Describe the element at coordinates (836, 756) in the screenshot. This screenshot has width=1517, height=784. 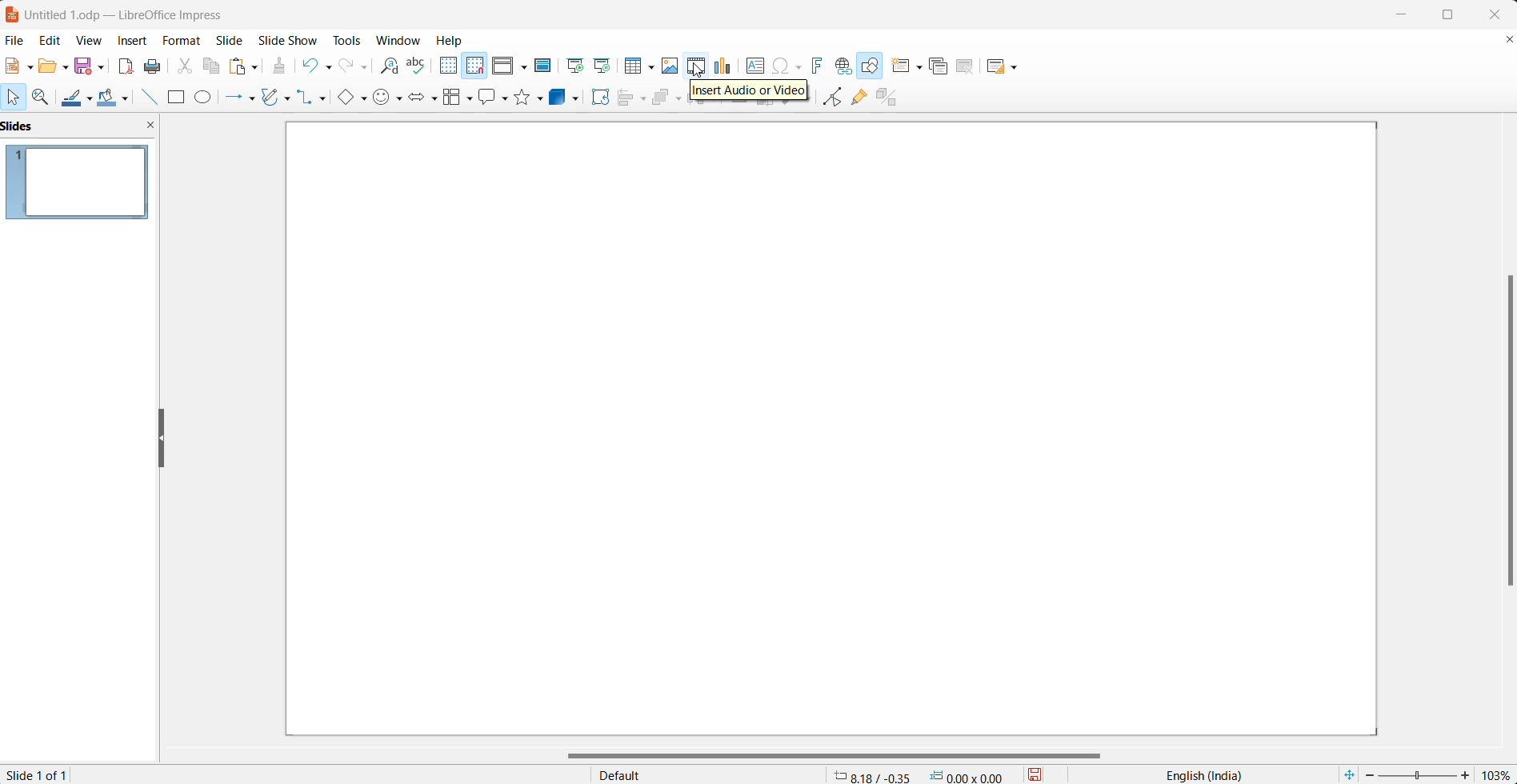
I see `horizontal scroll  bar` at that location.